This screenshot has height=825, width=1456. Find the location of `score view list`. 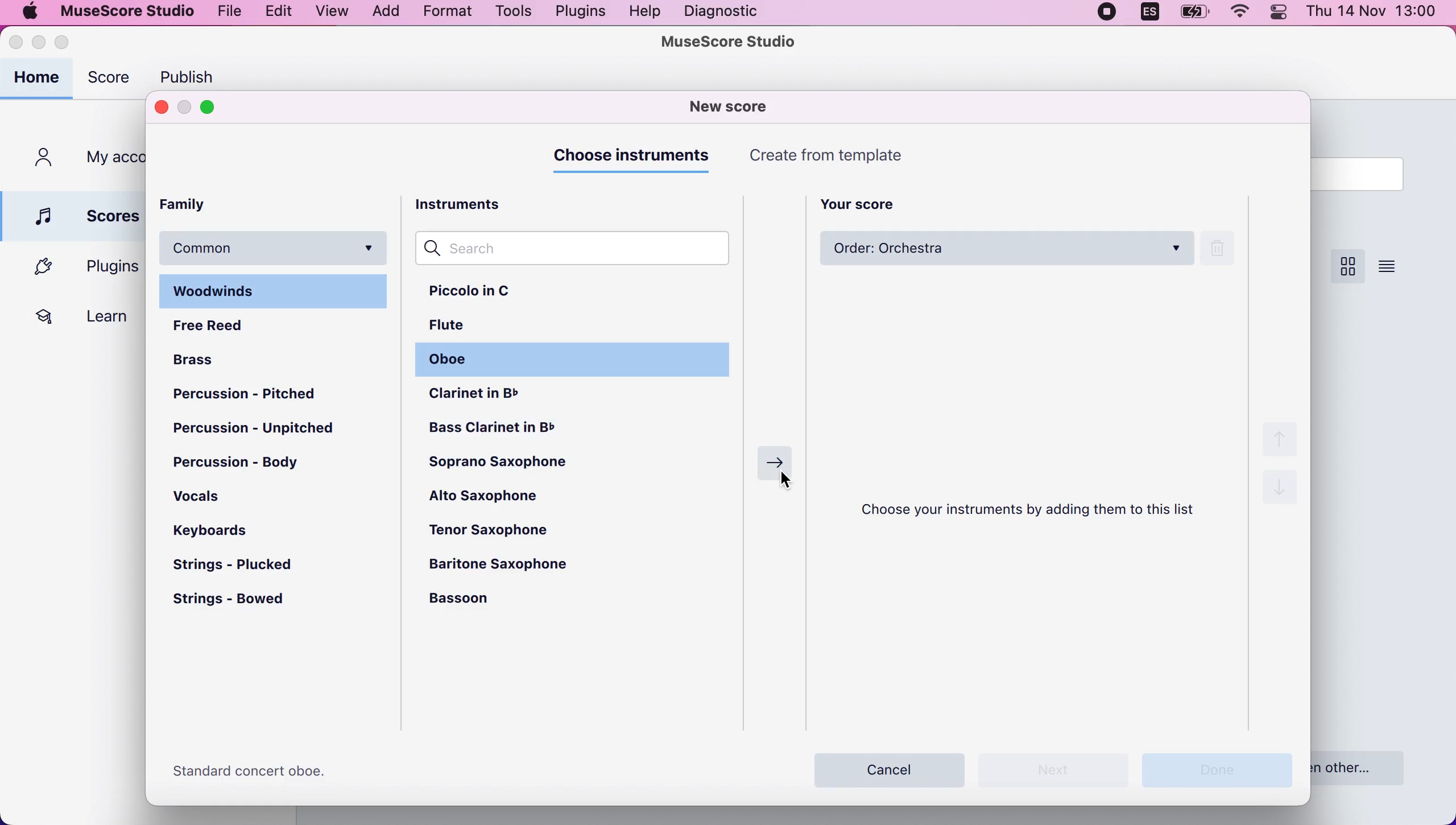

score view list is located at coordinates (1388, 265).